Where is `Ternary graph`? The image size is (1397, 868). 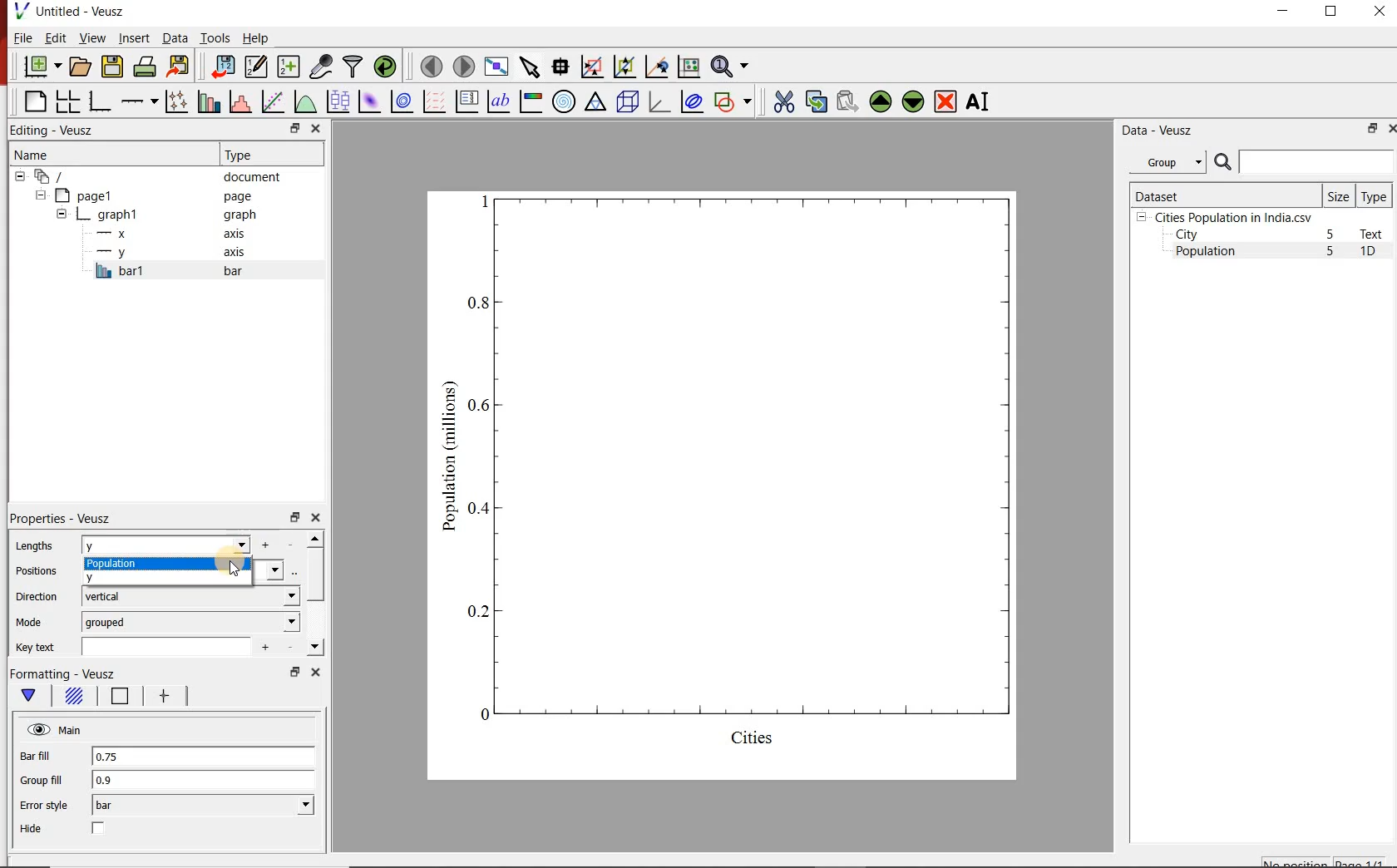 Ternary graph is located at coordinates (595, 102).